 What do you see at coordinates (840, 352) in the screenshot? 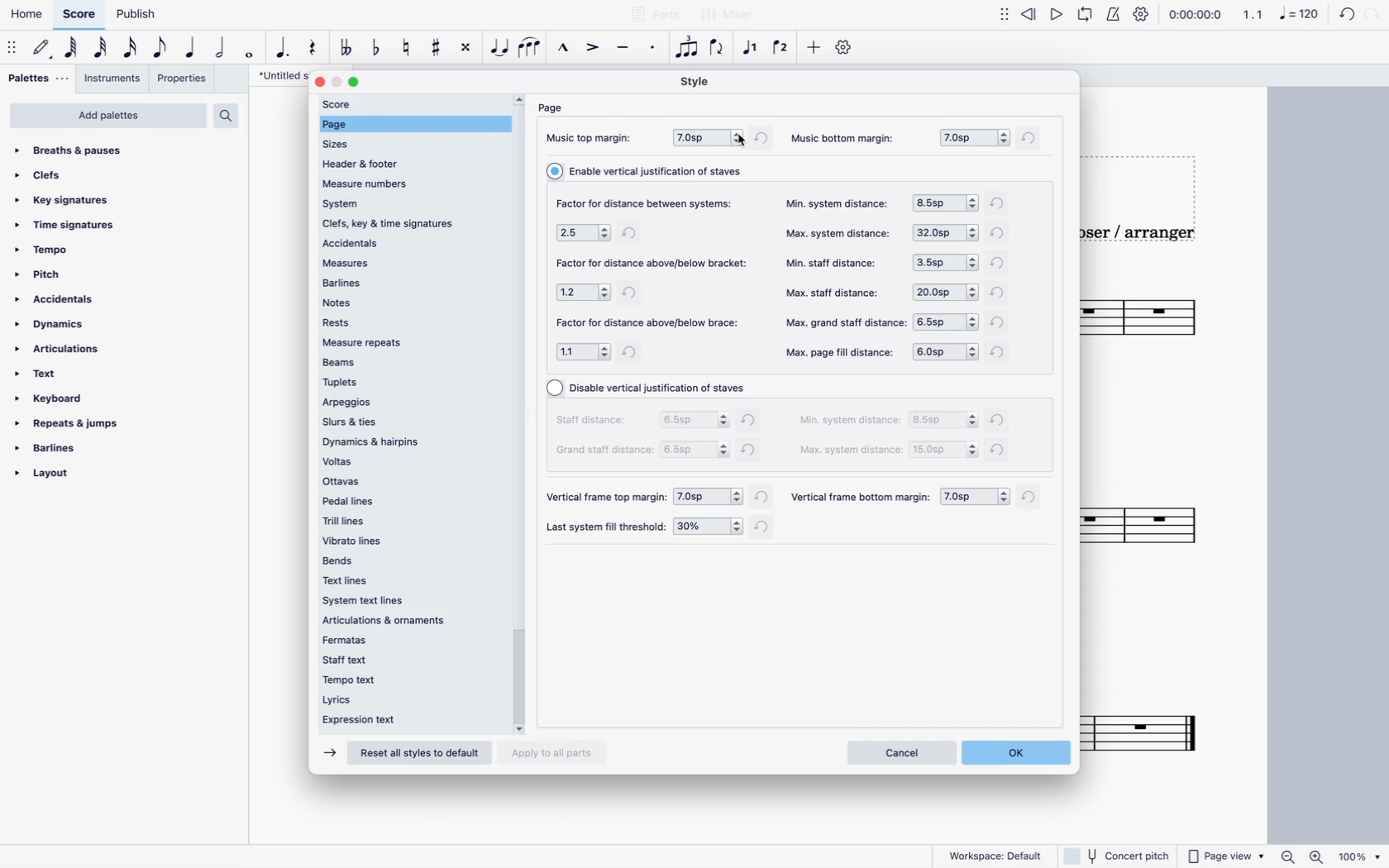
I see `max page fill distance` at bounding box center [840, 352].